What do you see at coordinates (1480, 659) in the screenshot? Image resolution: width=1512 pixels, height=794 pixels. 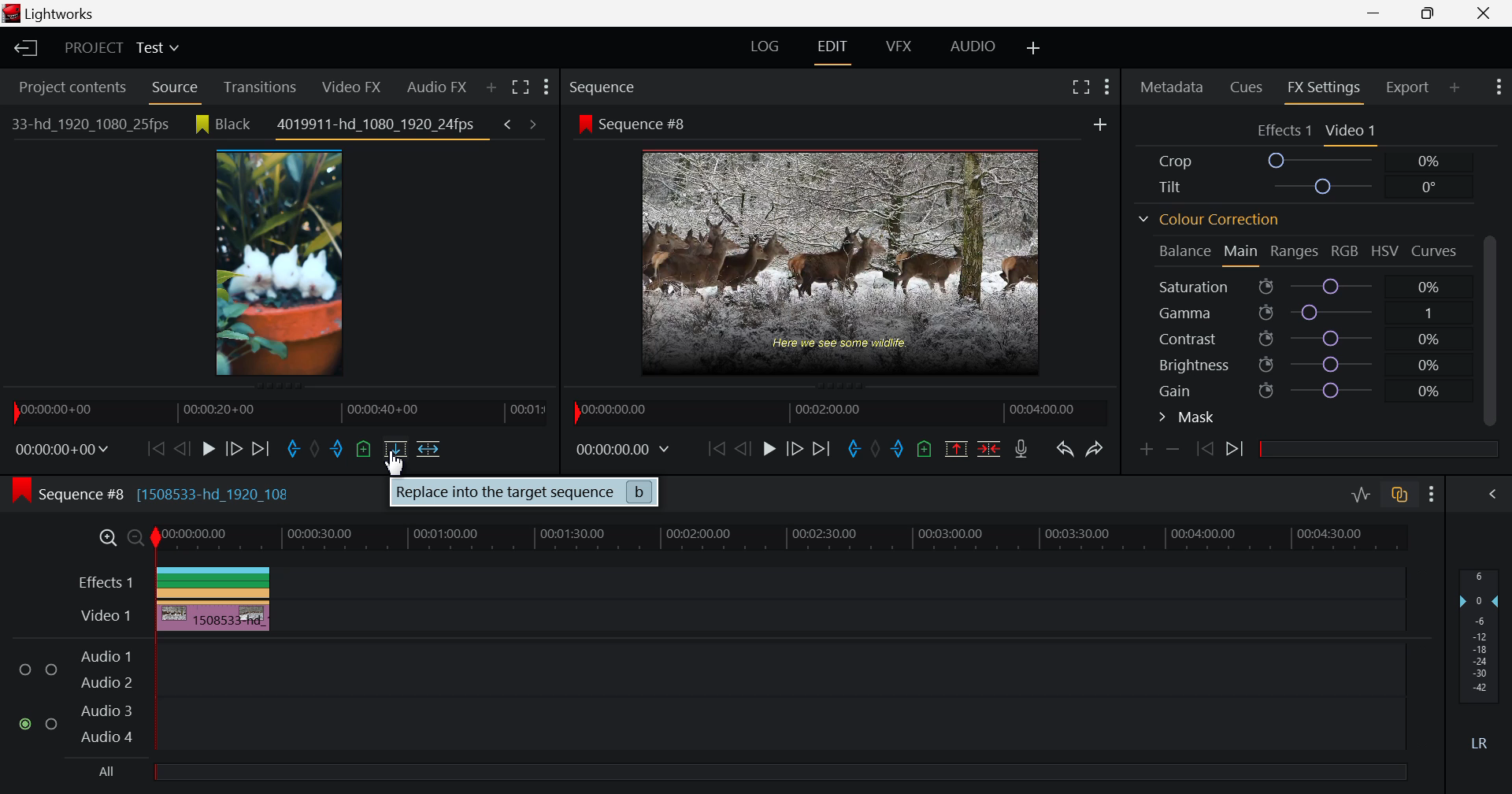 I see `Decibel Level` at bounding box center [1480, 659].